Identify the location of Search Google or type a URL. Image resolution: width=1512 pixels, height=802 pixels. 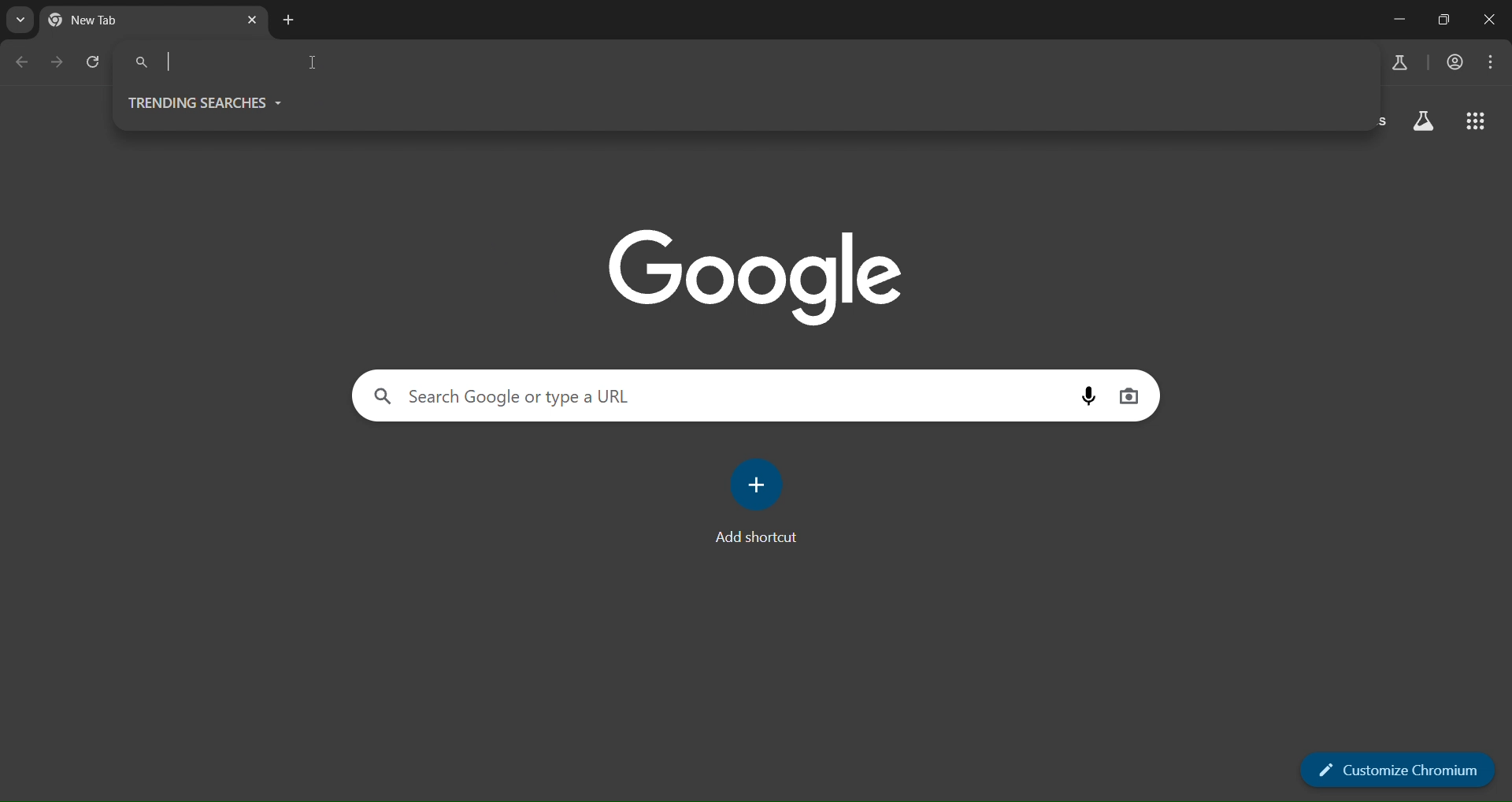
(710, 396).